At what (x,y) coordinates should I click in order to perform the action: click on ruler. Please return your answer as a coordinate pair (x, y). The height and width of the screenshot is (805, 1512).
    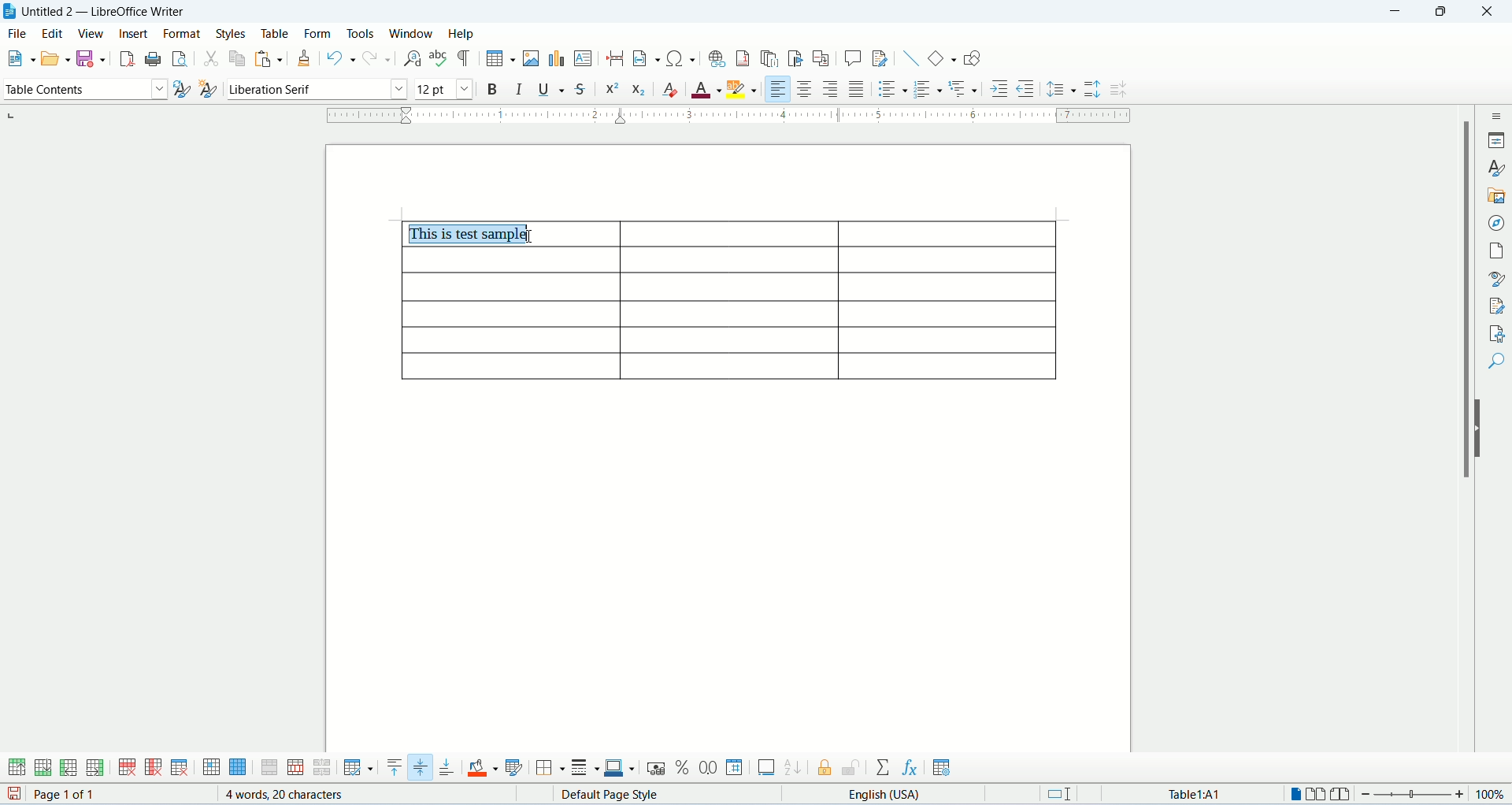
    Looking at the image, I should click on (728, 115).